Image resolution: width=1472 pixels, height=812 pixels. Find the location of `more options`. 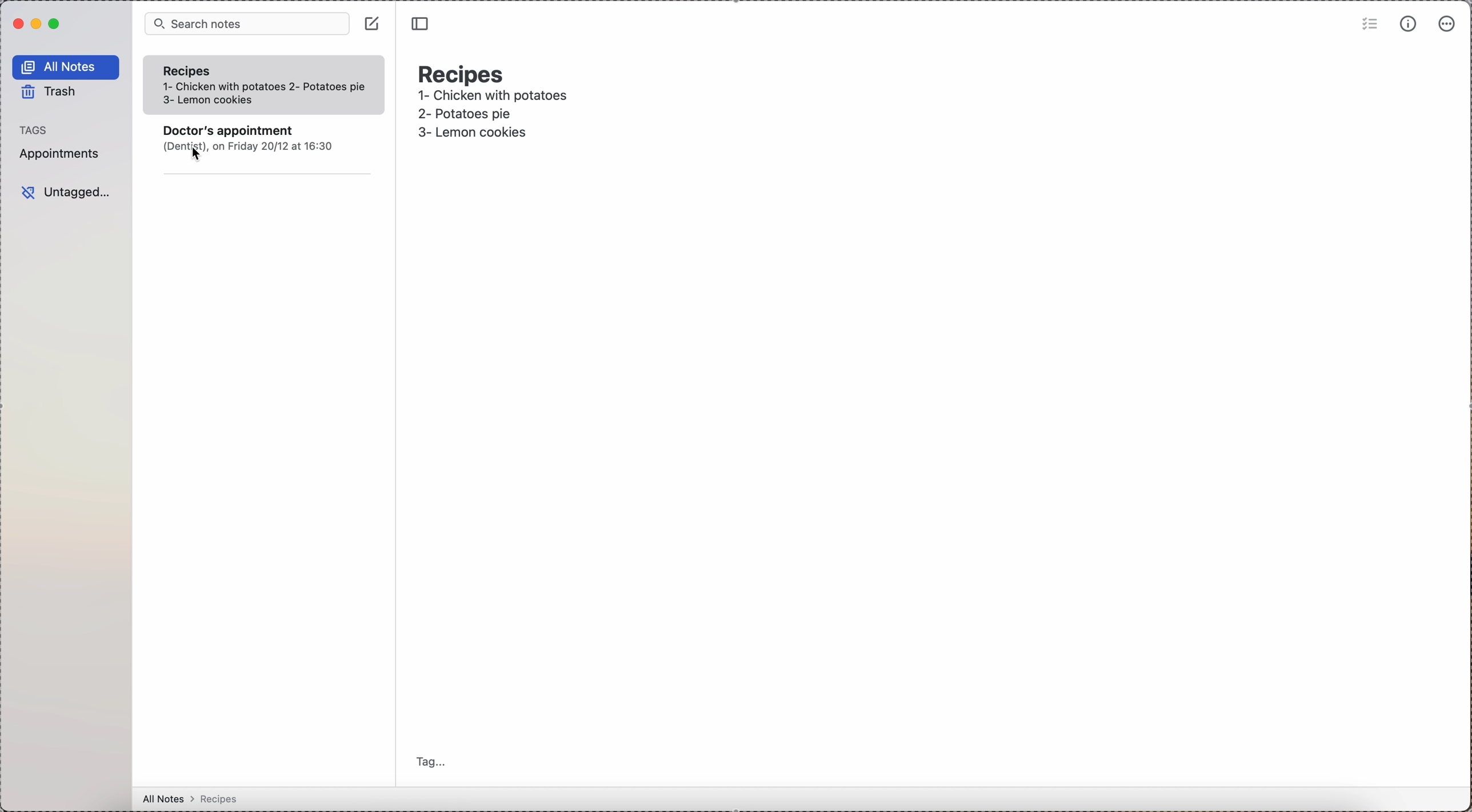

more options is located at coordinates (1447, 25).